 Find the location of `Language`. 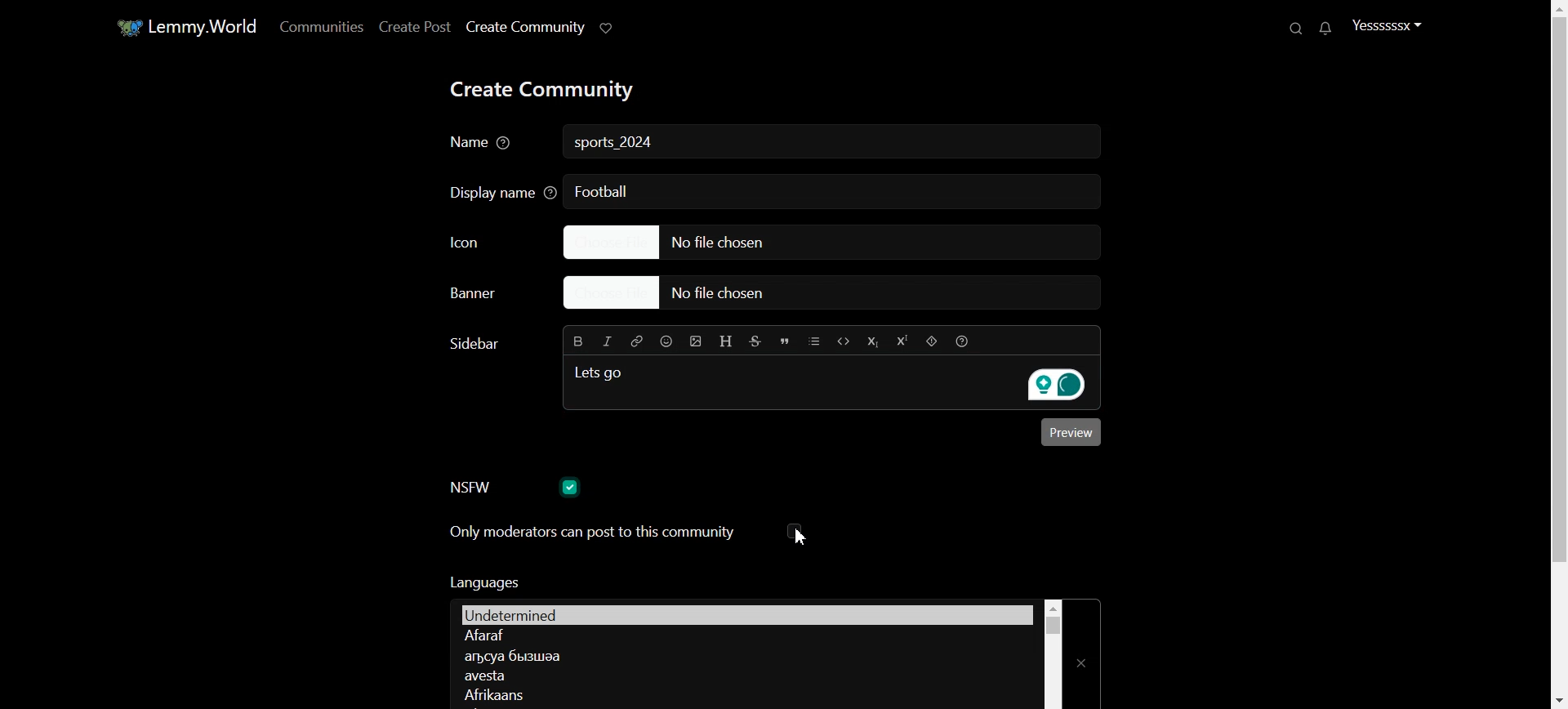

Language is located at coordinates (742, 655).